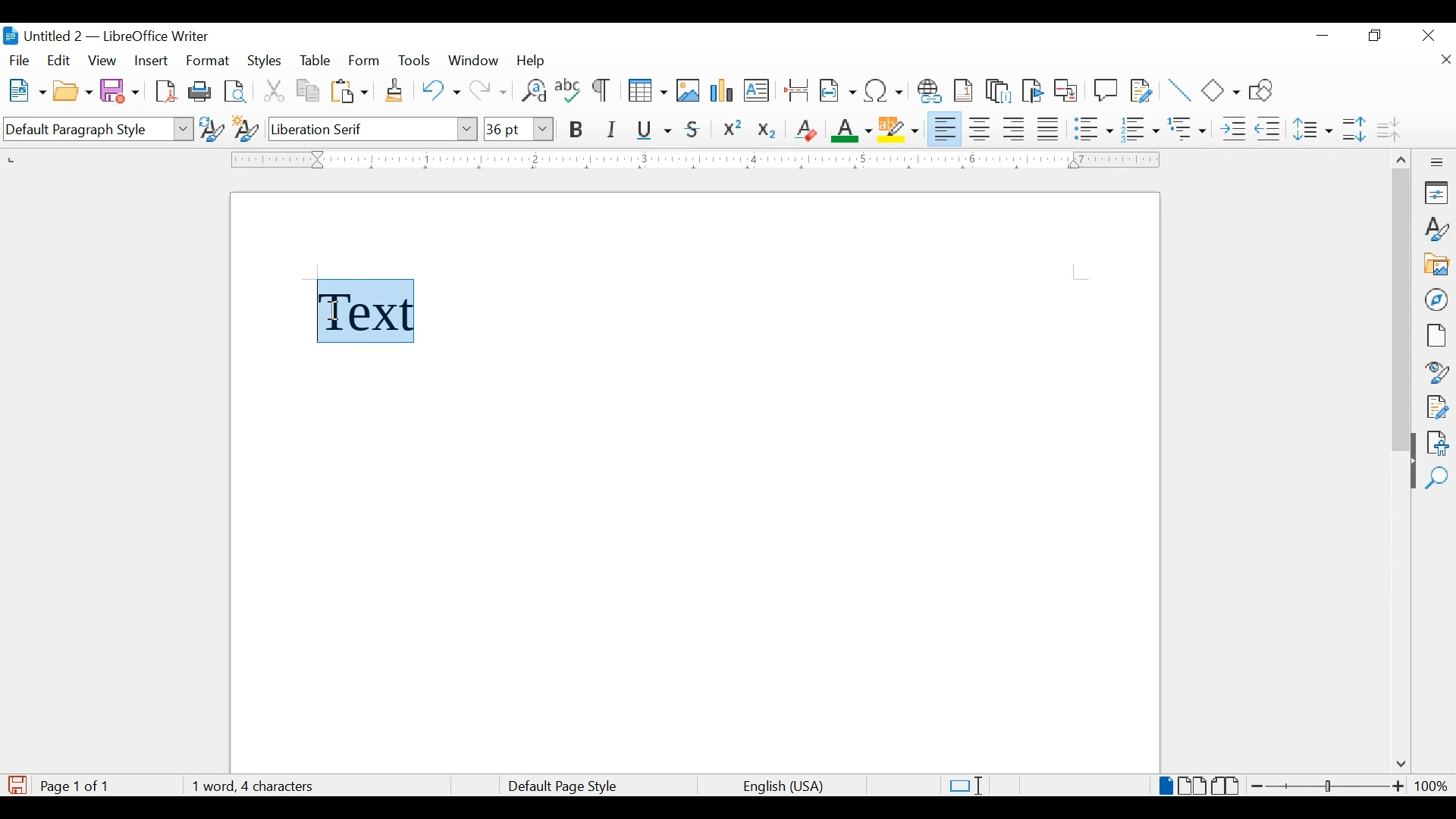 Image resolution: width=1456 pixels, height=819 pixels. I want to click on copy, so click(309, 91).